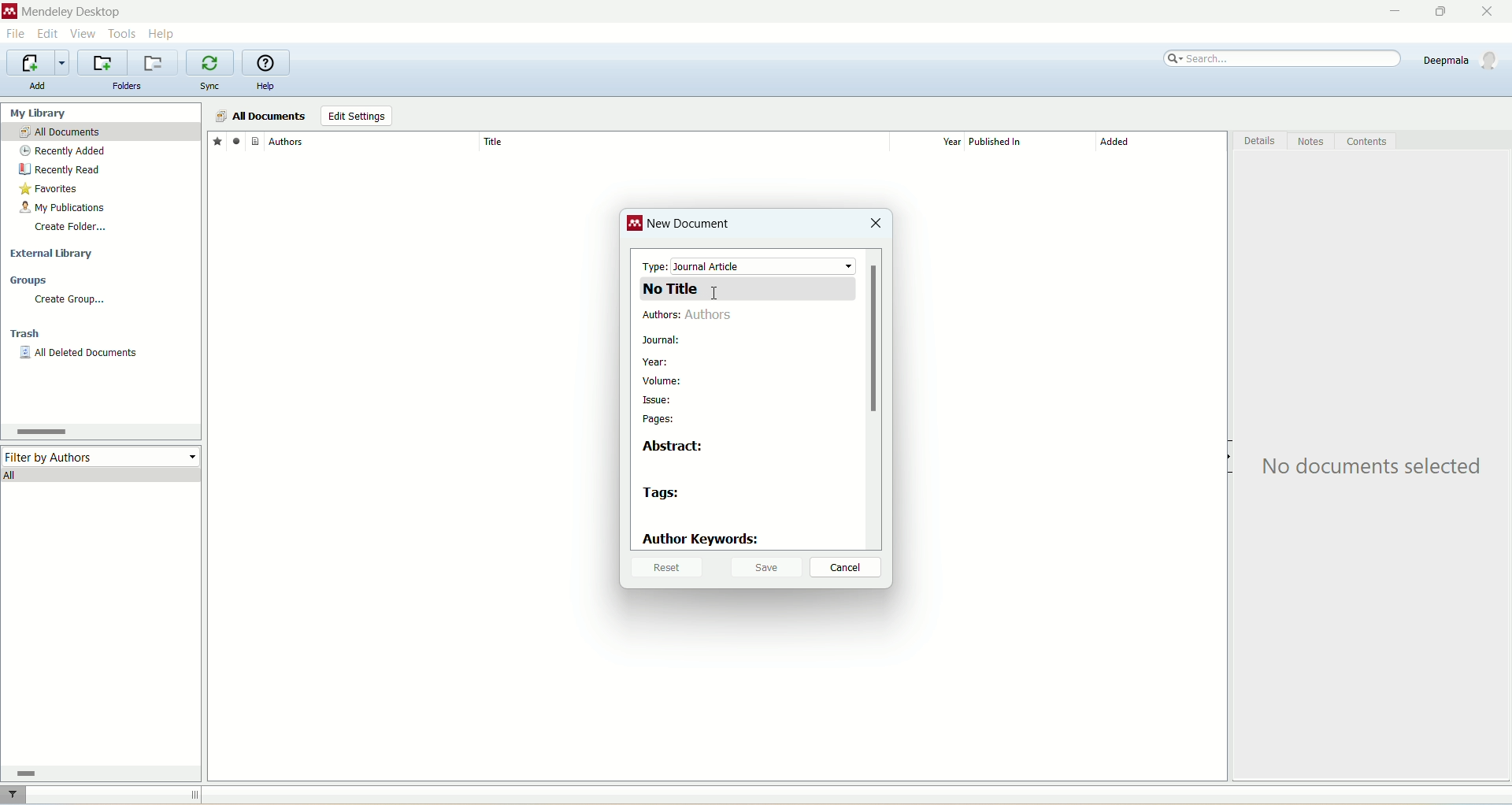 The image size is (1512, 805). What do you see at coordinates (717, 296) in the screenshot?
I see `cursor` at bounding box center [717, 296].